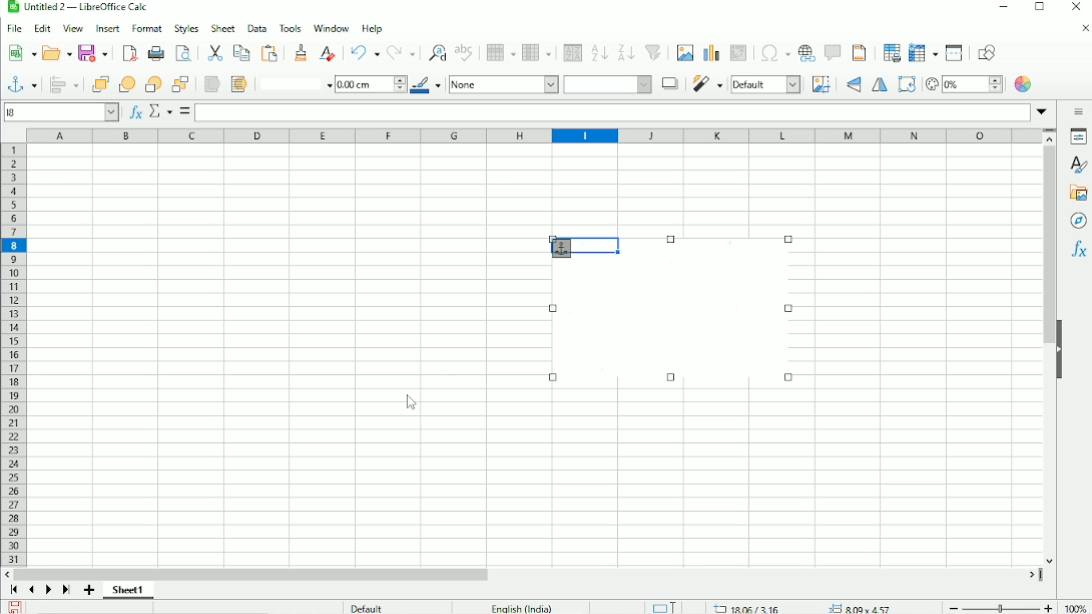 The image size is (1092, 614). Describe the element at coordinates (213, 53) in the screenshot. I see `Cut` at that location.